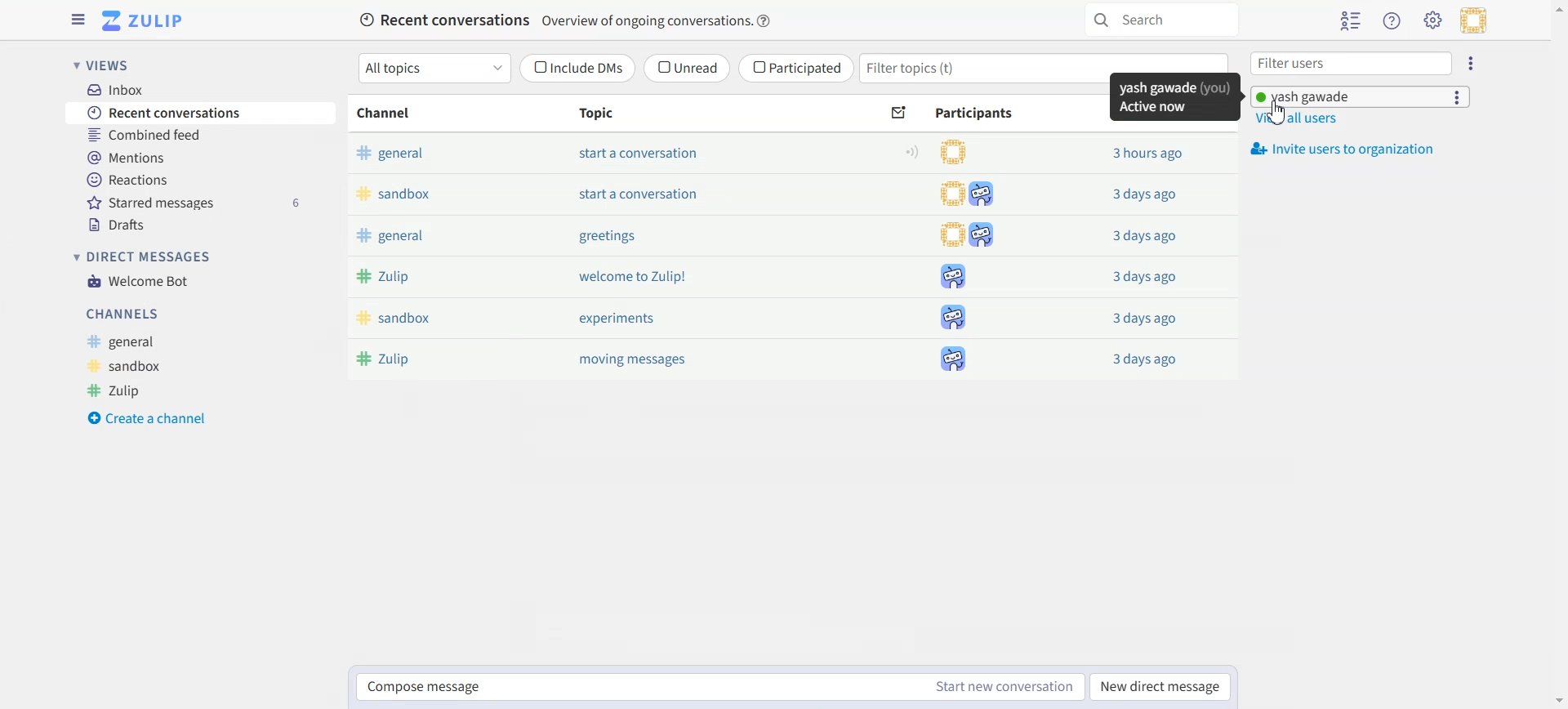 Image resolution: width=1568 pixels, height=709 pixels. I want to click on Unread, so click(684, 68).